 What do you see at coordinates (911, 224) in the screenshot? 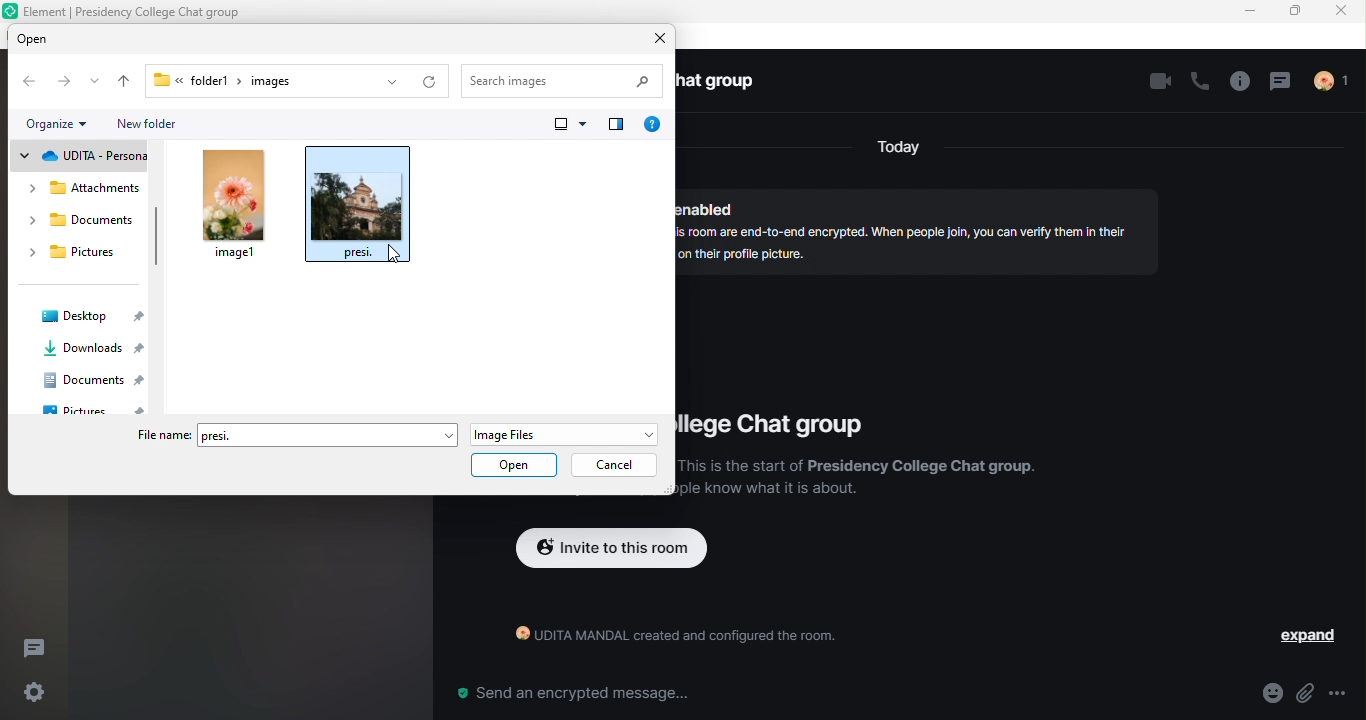
I see `enabled is room are end-to-end encrypted. When people join, you can verify them In thelron thelr profile picture.` at bounding box center [911, 224].